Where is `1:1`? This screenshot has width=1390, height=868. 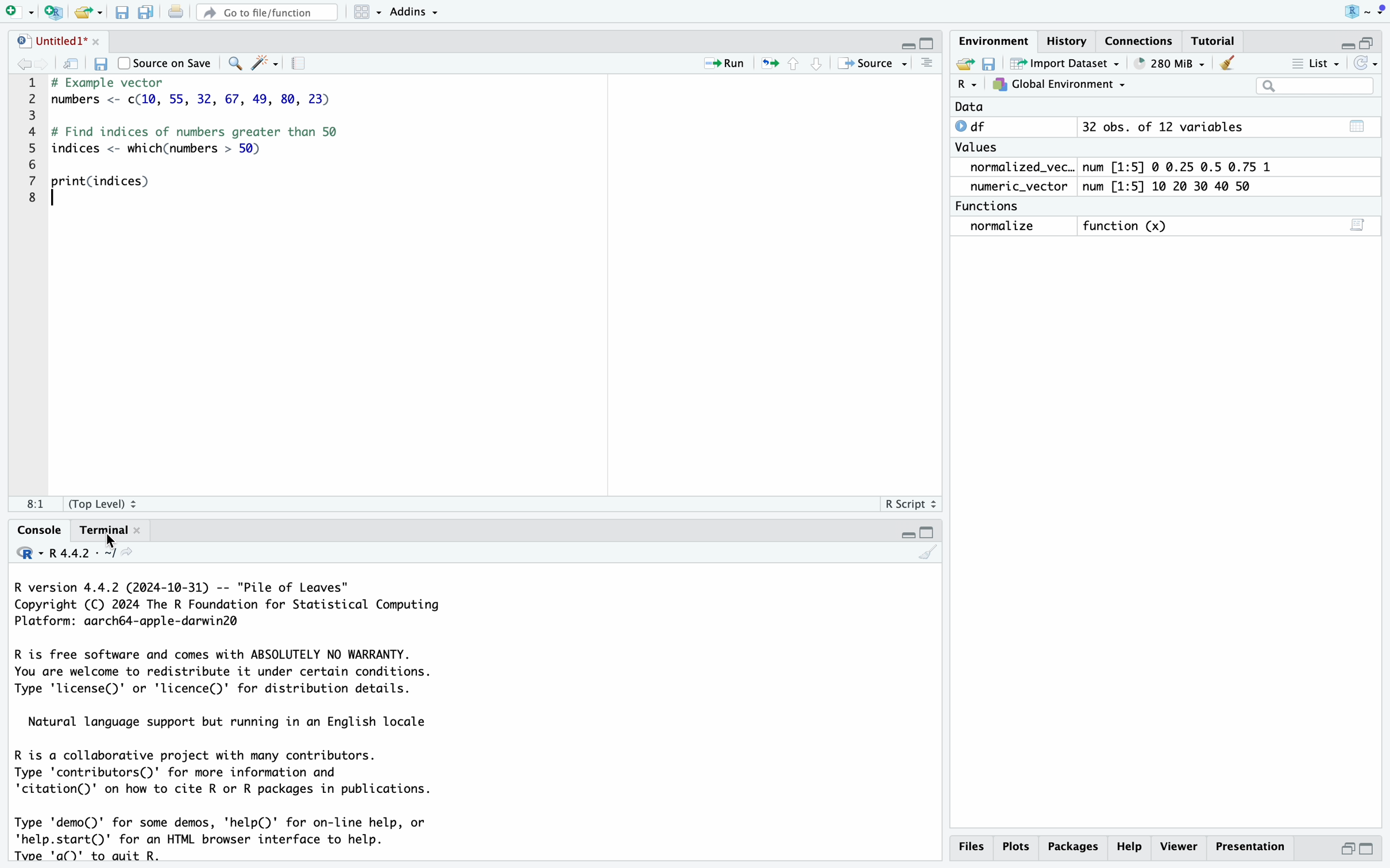
1:1 is located at coordinates (29, 503).